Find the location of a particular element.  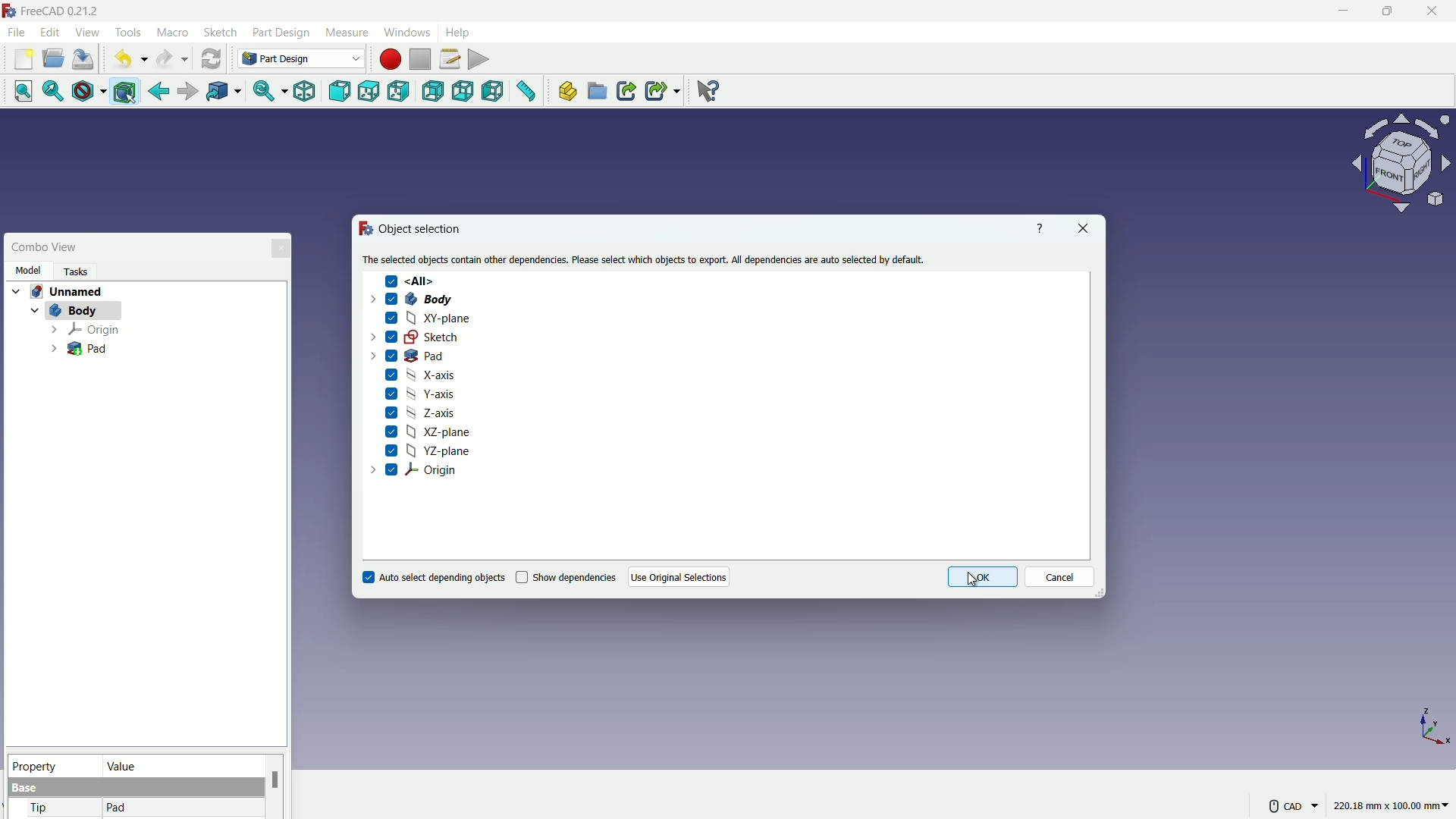

new file is located at coordinates (24, 59).